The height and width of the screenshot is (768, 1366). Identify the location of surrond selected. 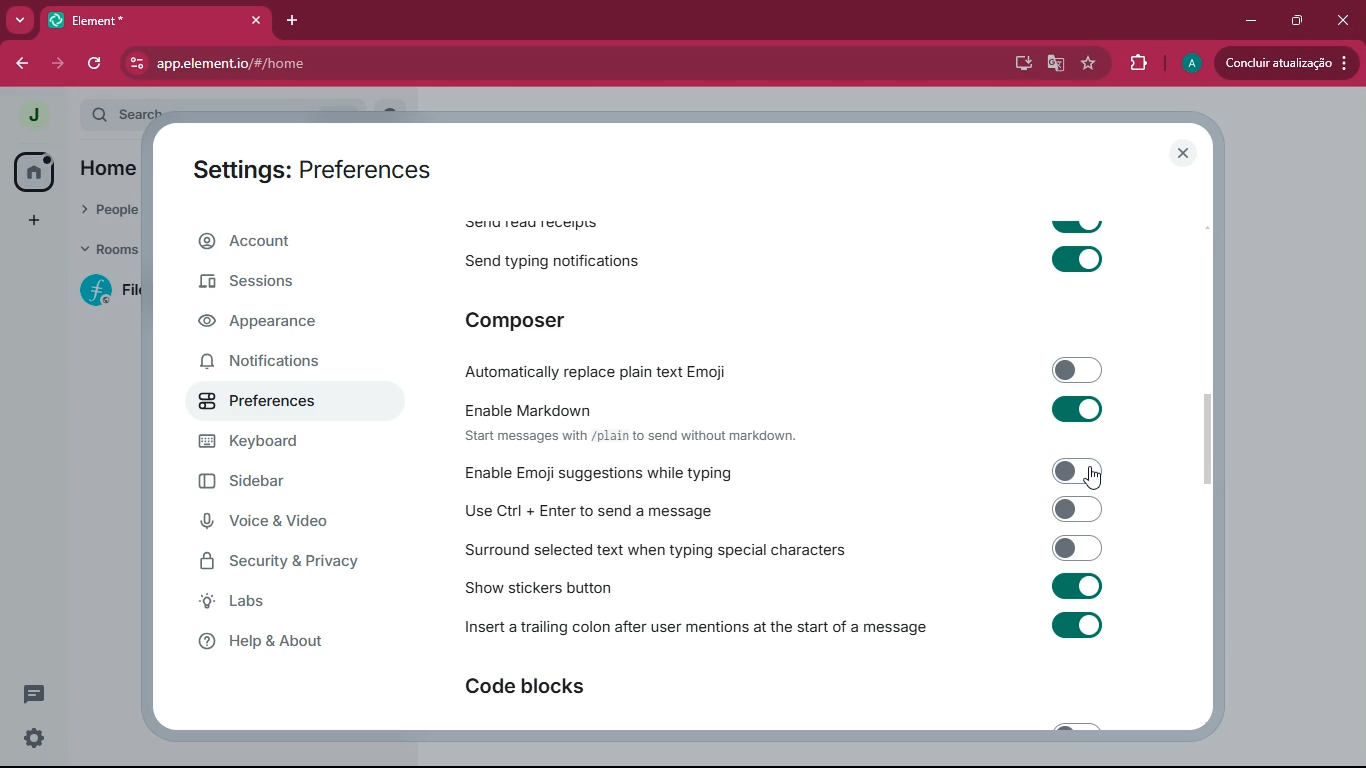
(793, 549).